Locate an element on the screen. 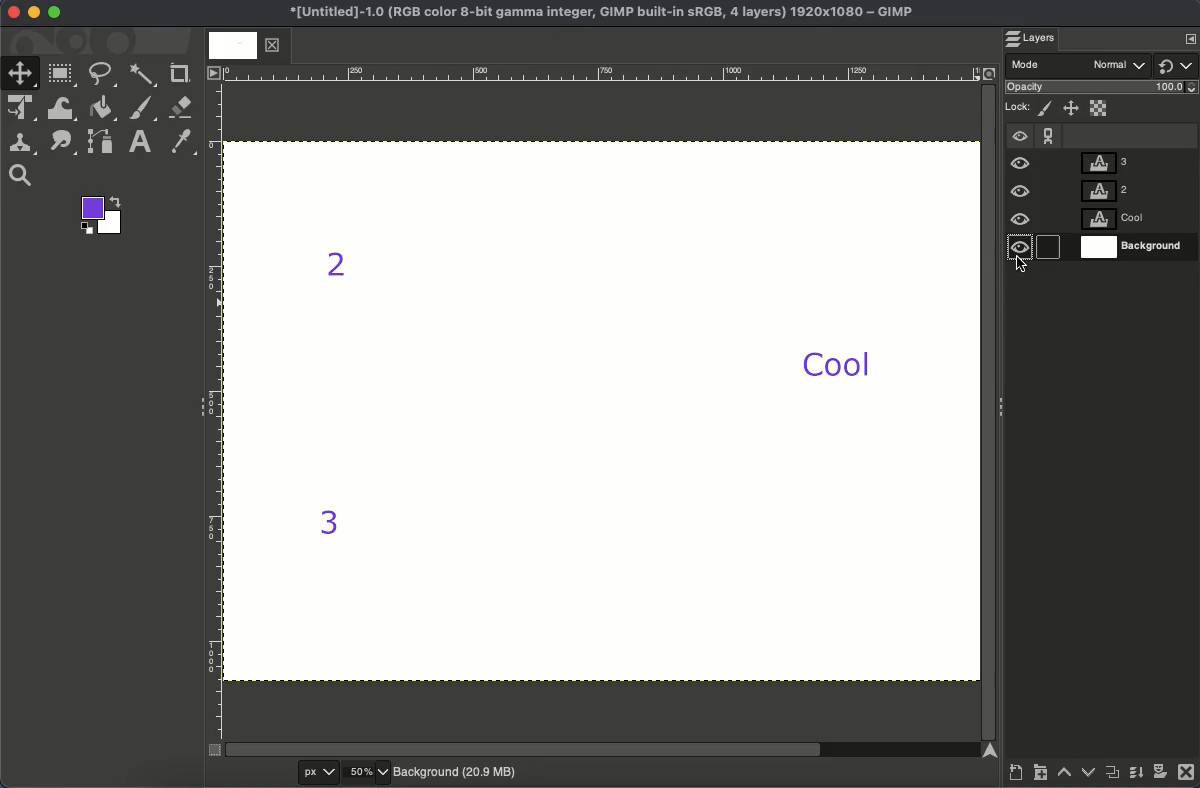  cursor is located at coordinates (1026, 272).